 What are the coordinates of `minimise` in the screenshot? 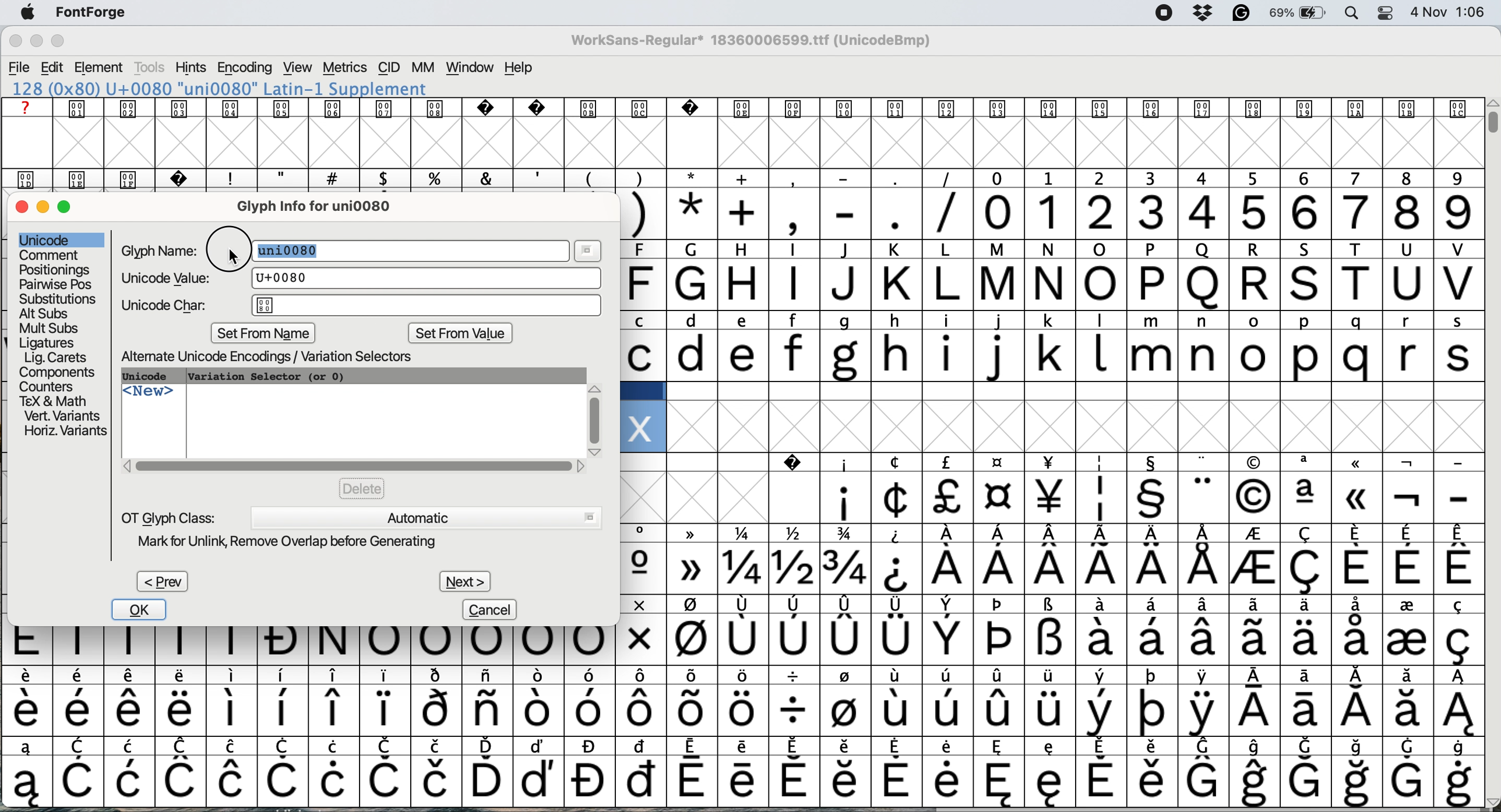 It's located at (44, 207).